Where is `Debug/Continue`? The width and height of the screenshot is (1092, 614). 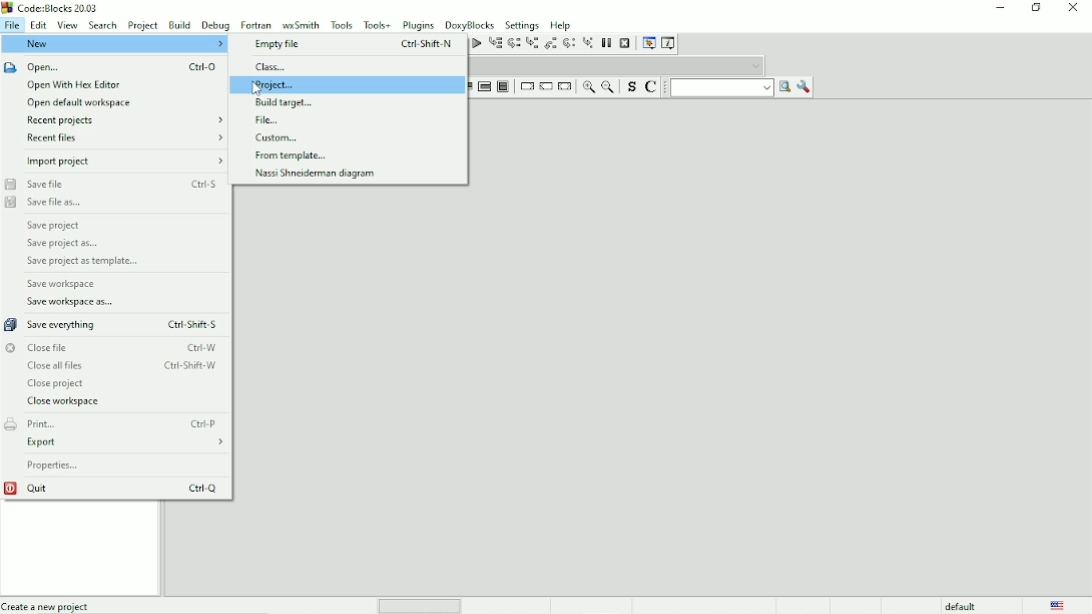
Debug/Continue is located at coordinates (475, 43).